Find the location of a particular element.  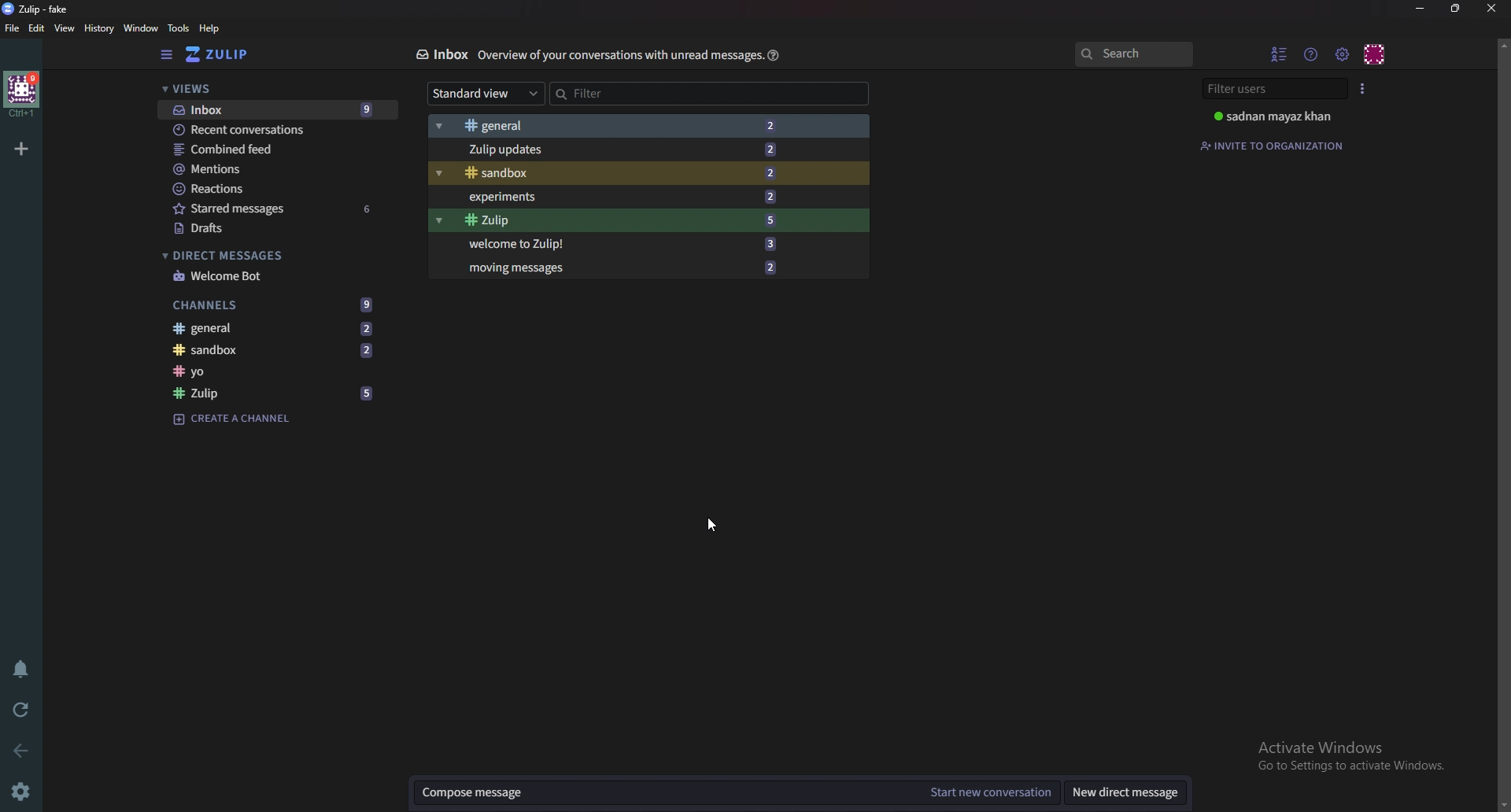

Resize is located at coordinates (1457, 9).